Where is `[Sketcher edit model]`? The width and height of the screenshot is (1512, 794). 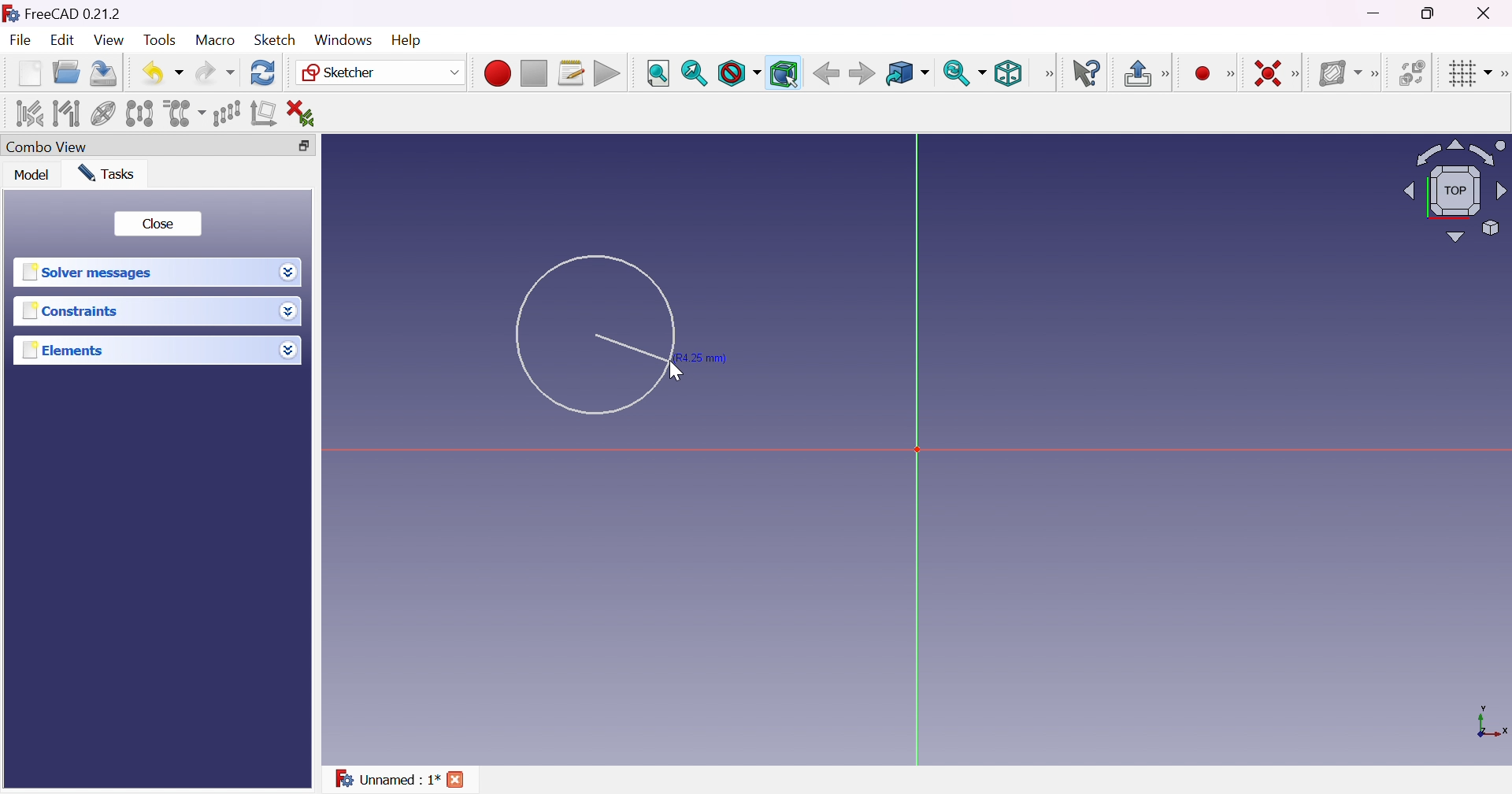
[Sketcher edit model] is located at coordinates (1168, 72).